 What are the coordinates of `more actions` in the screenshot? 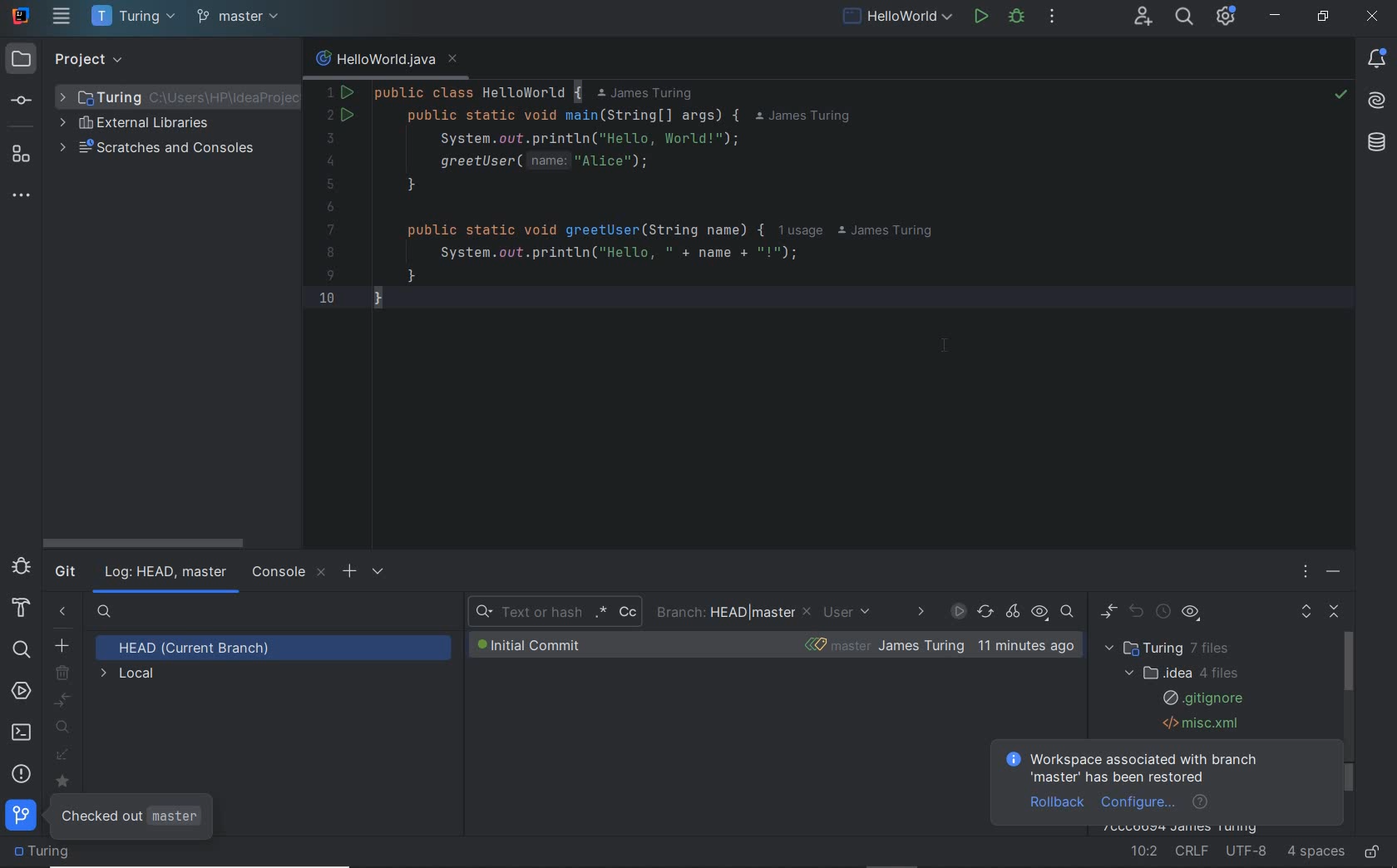 It's located at (1053, 18).